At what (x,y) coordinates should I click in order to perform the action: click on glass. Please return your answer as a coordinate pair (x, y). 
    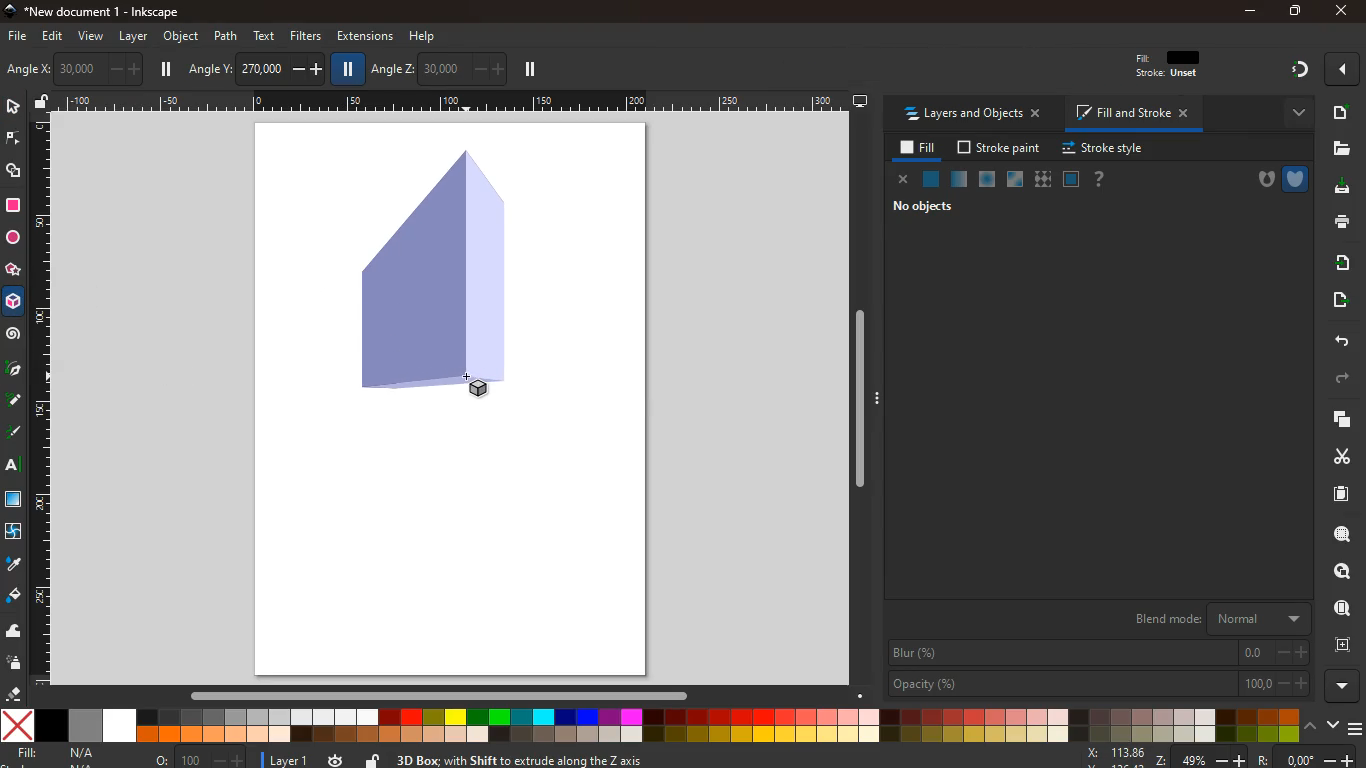
    Looking at the image, I should click on (1013, 180).